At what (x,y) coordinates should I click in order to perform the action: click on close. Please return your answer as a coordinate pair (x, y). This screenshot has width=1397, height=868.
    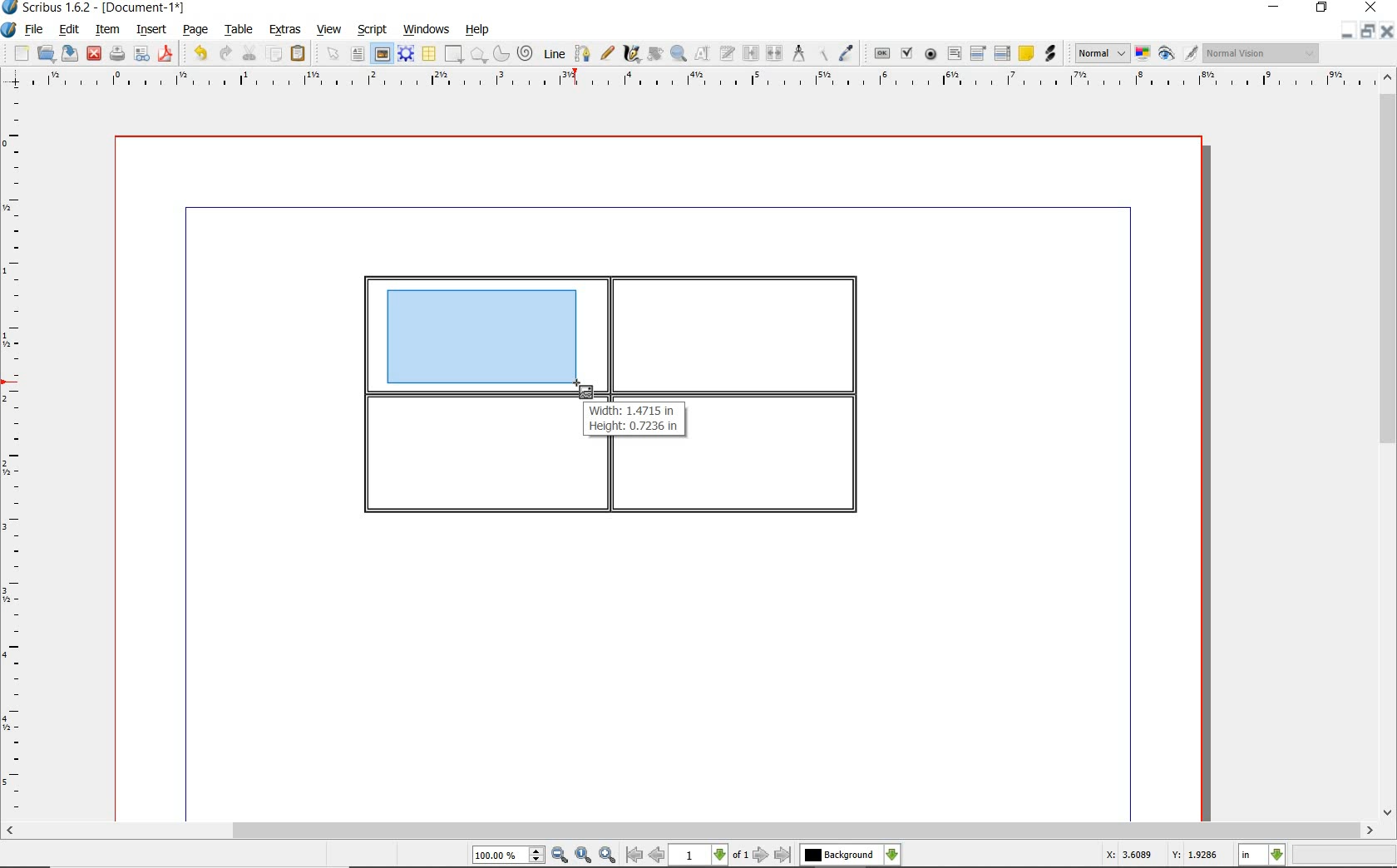
    Looking at the image, I should click on (1386, 32).